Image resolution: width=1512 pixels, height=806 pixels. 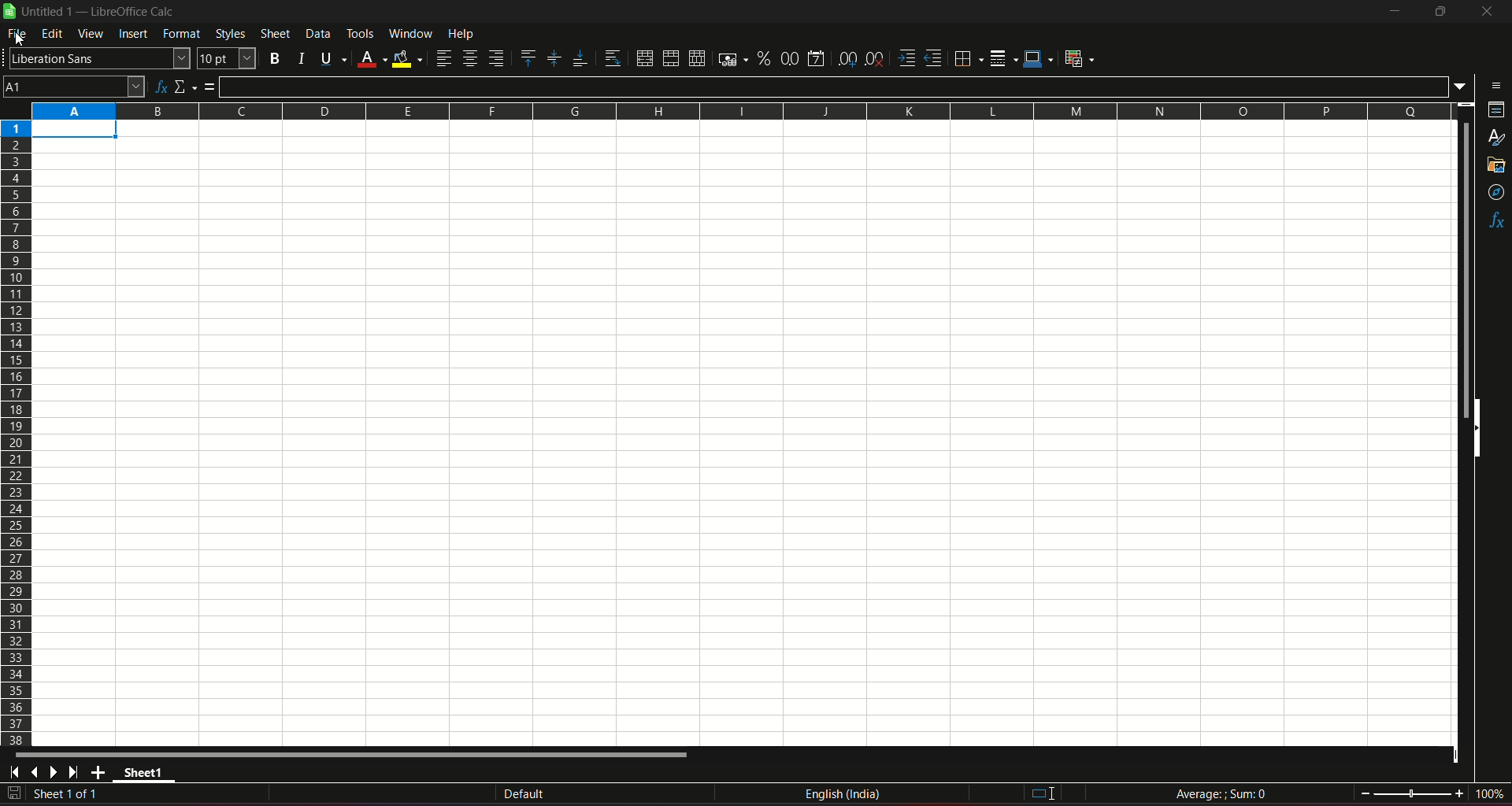 I want to click on Font color, so click(x=370, y=57).